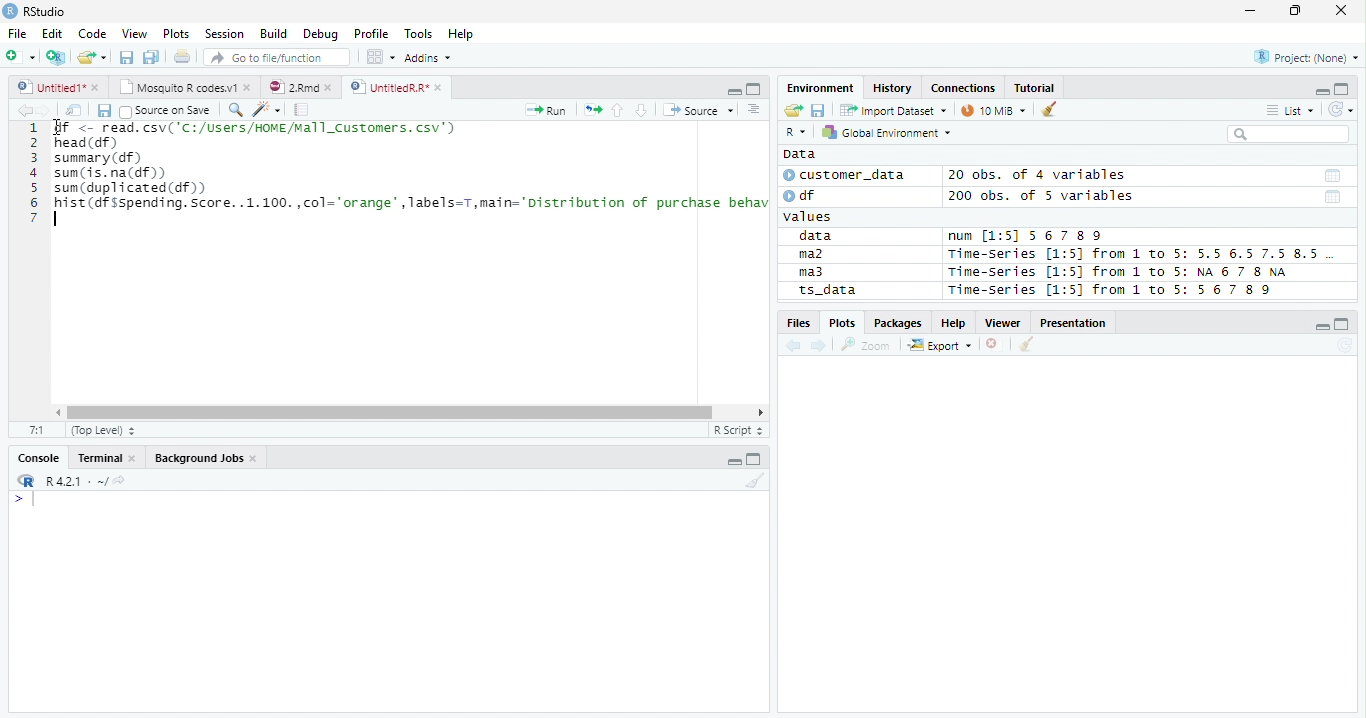 The height and width of the screenshot is (718, 1366). I want to click on Workplace panes, so click(380, 57).